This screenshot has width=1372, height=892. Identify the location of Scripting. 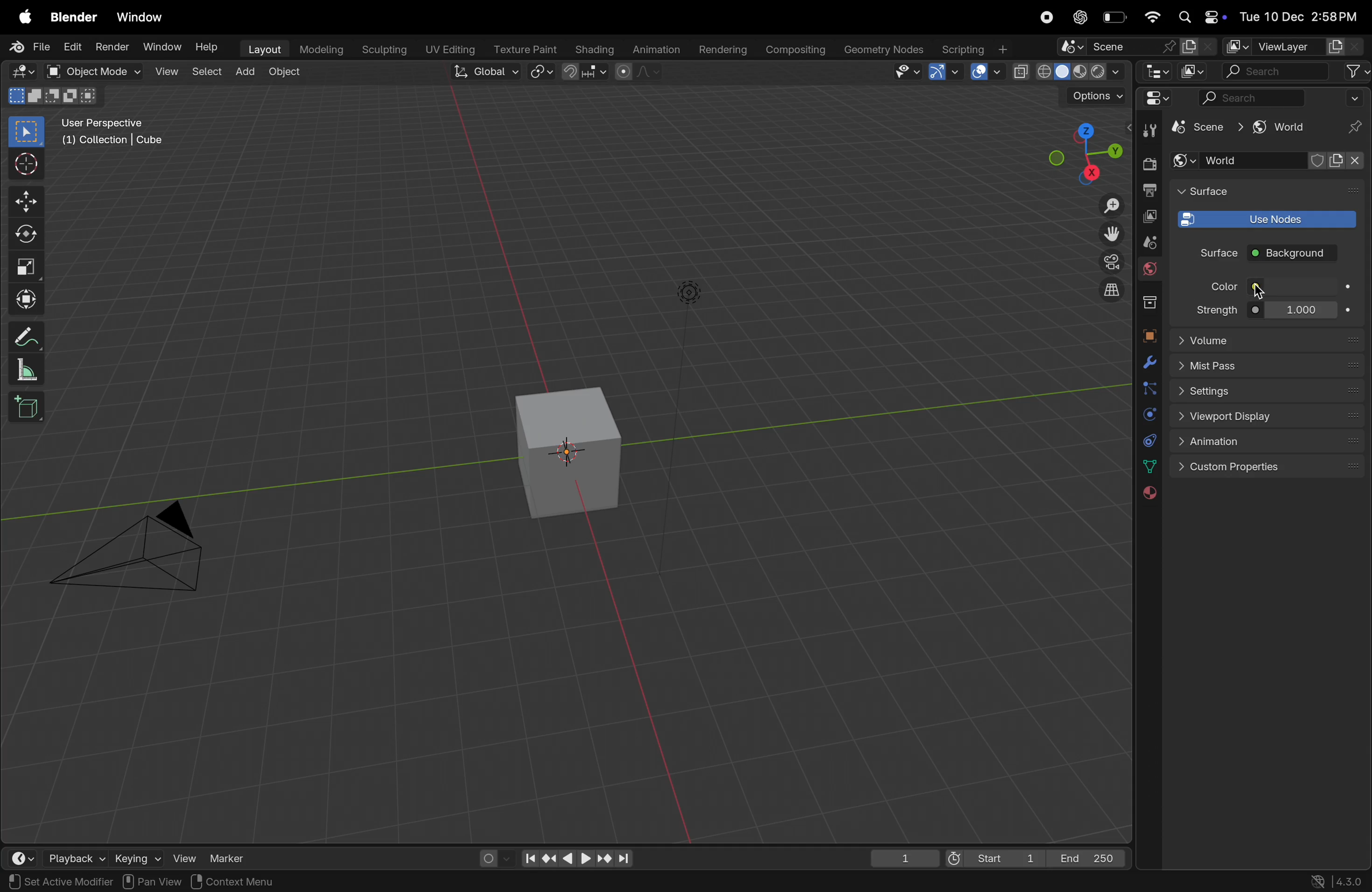
(978, 49).